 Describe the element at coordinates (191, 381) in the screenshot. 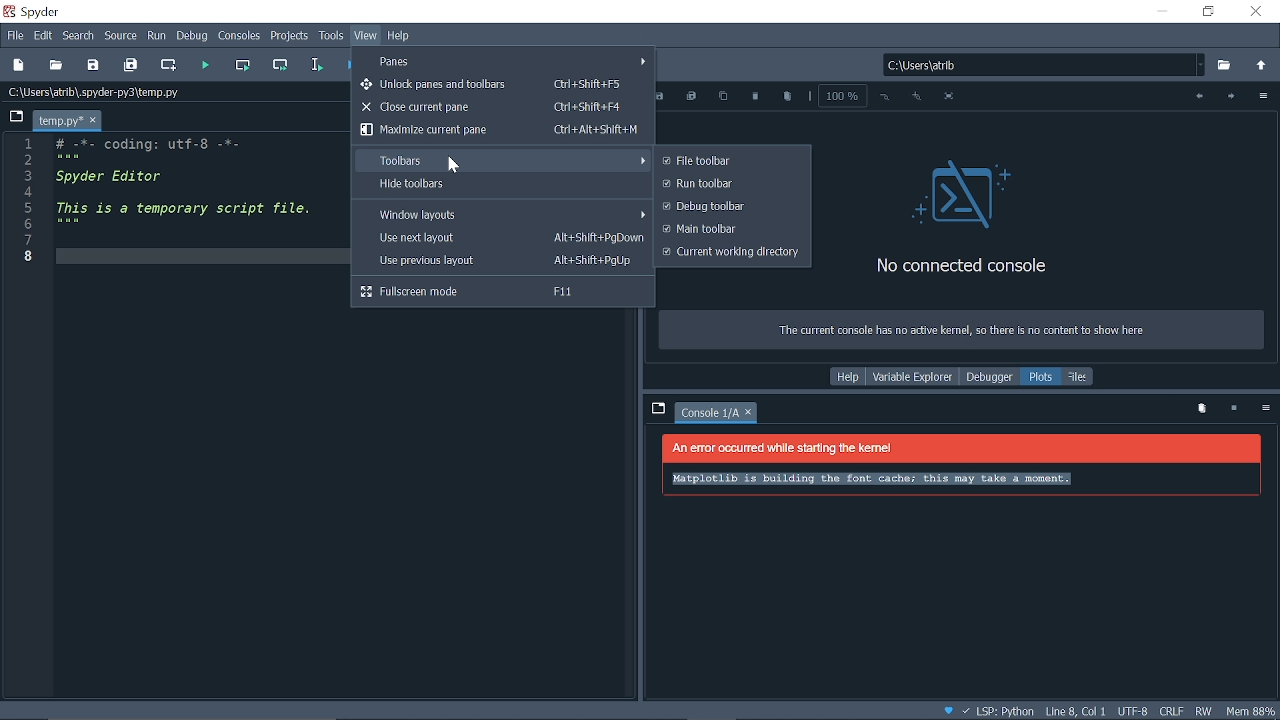

I see `Space for writting code` at that location.